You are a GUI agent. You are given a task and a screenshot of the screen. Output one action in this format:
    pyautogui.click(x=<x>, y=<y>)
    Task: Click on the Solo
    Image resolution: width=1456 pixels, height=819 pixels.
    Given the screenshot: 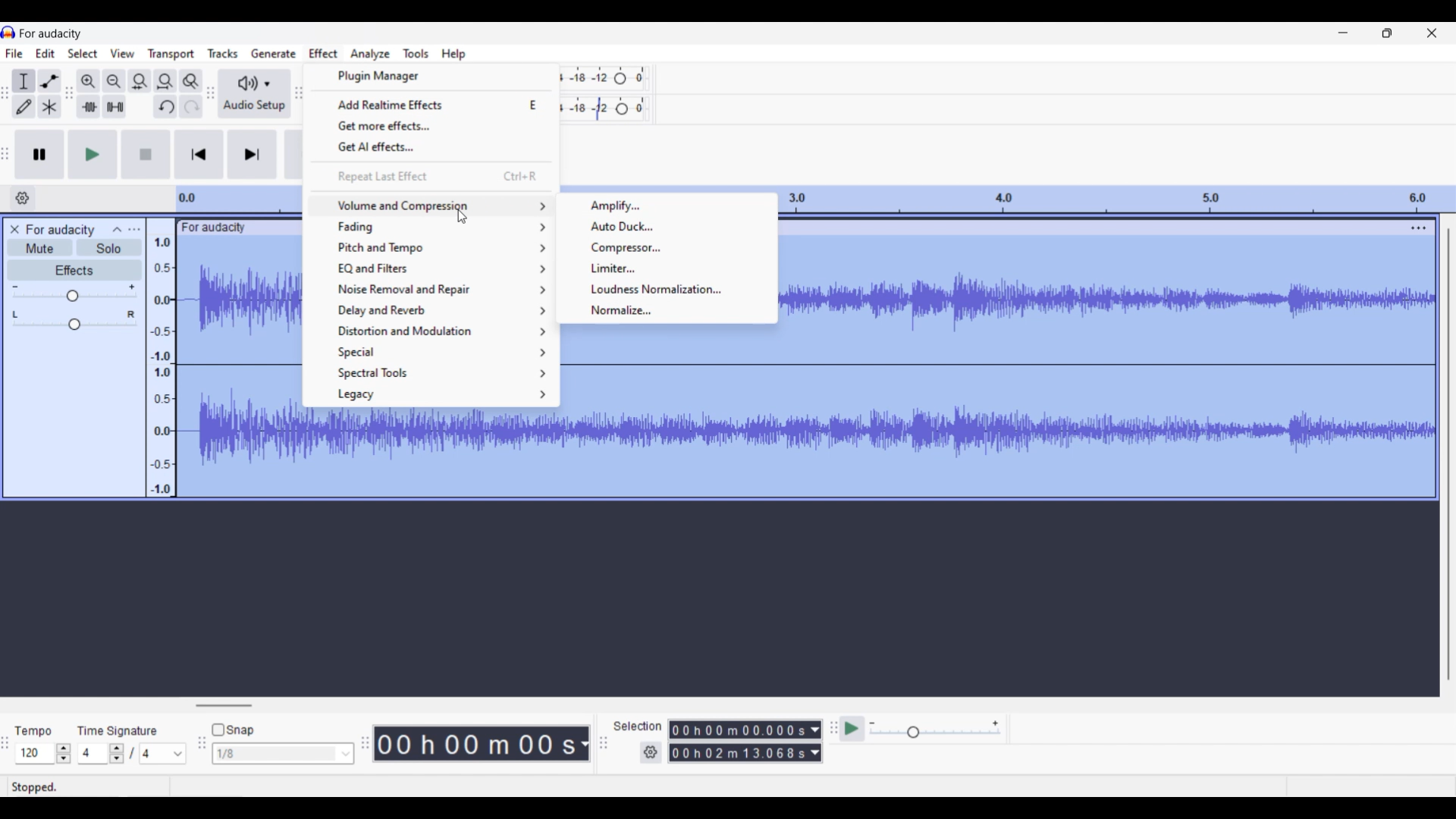 What is the action you would take?
    pyautogui.click(x=111, y=247)
    